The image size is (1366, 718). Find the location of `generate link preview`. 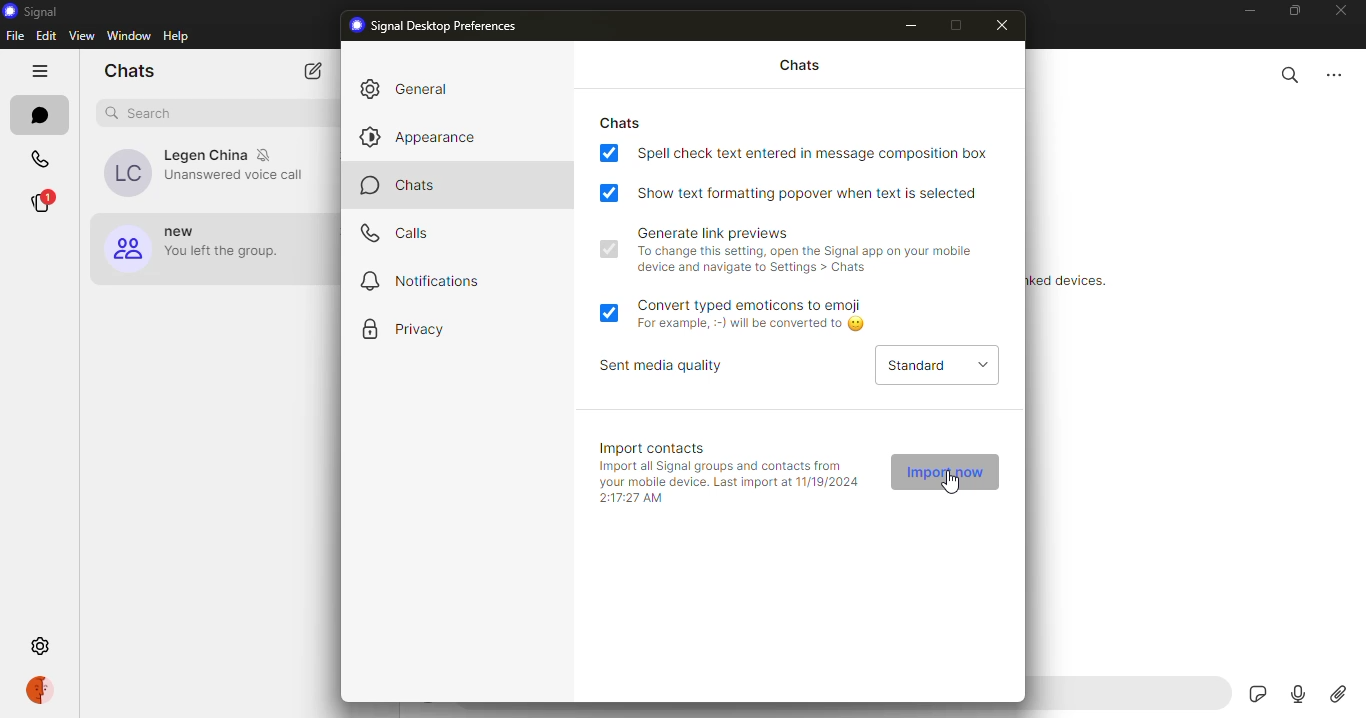

generate link preview is located at coordinates (714, 233).